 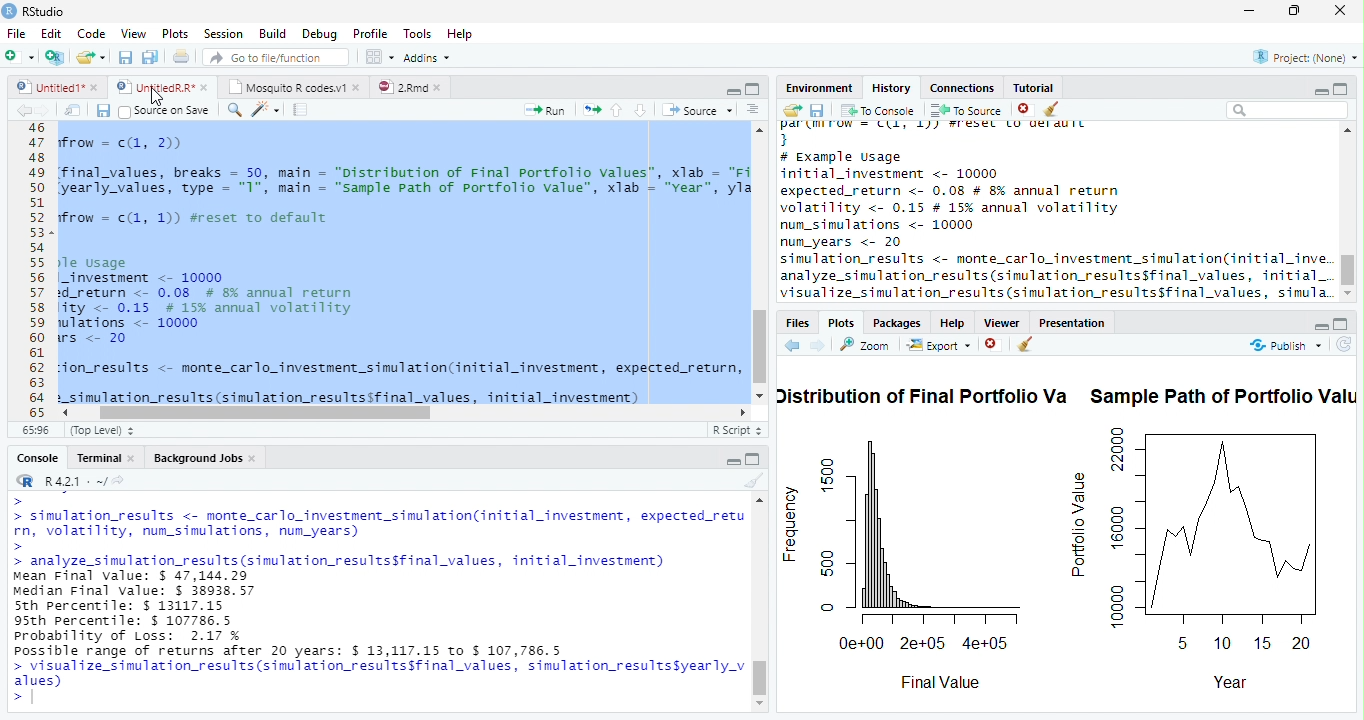 What do you see at coordinates (266, 110) in the screenshot?
I see `Code Tools` at bounding box center [266, 110].